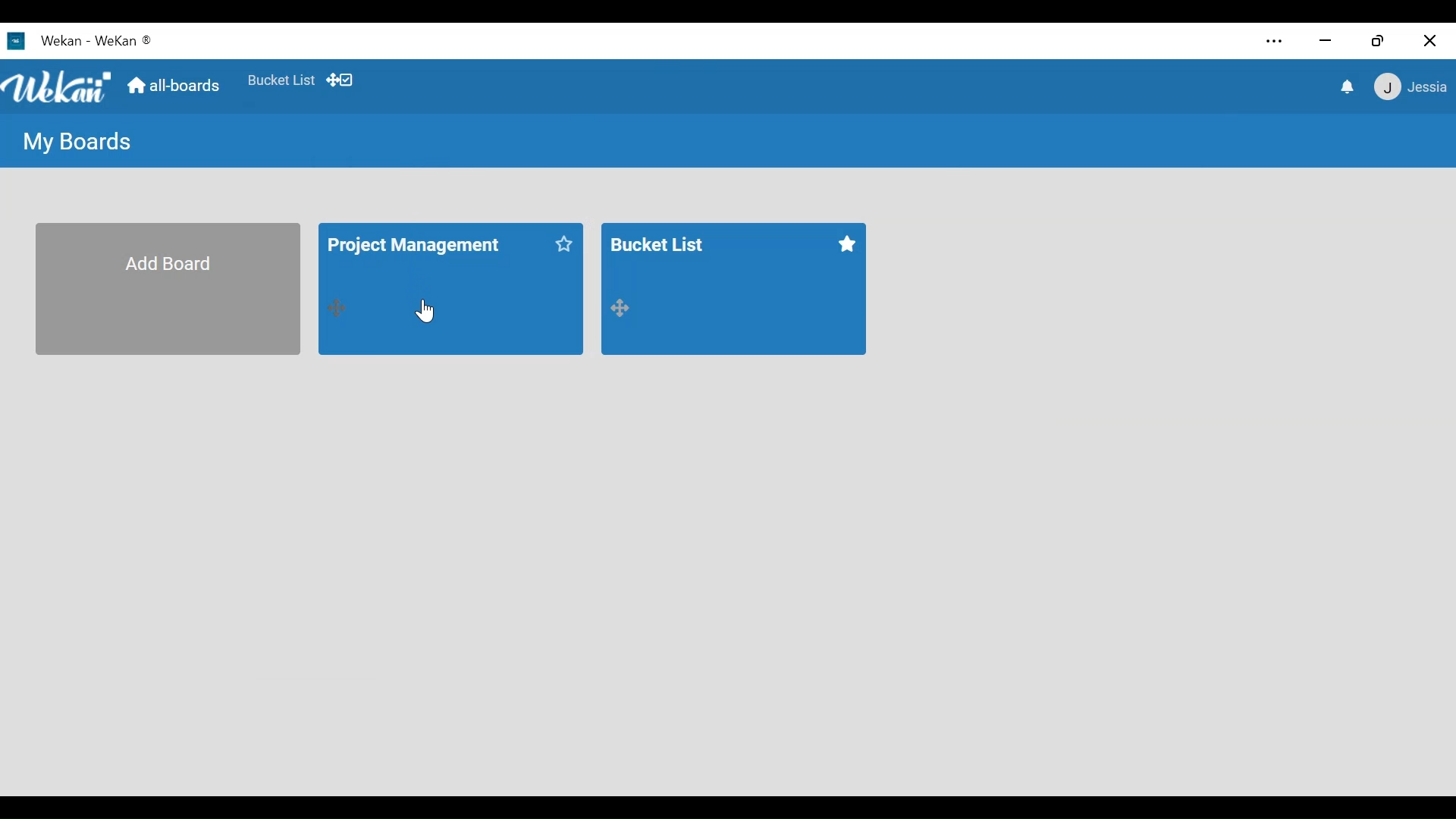 The image size is (1456, 819). Describe the element at coordinates (167, 288) in the screenshot. I see `Add Boards` at that location.